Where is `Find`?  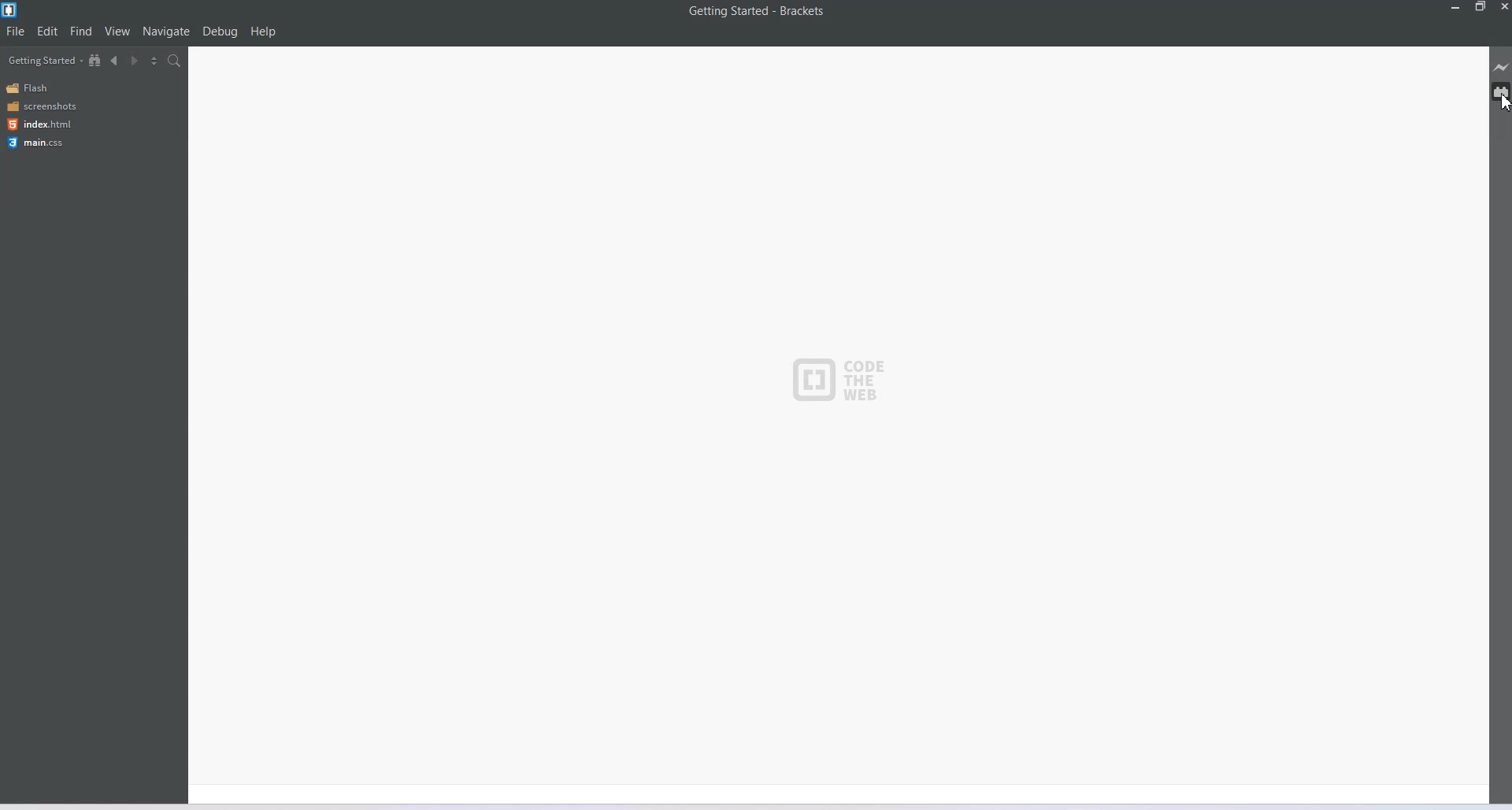
Find is located at coordinates (82, 30).